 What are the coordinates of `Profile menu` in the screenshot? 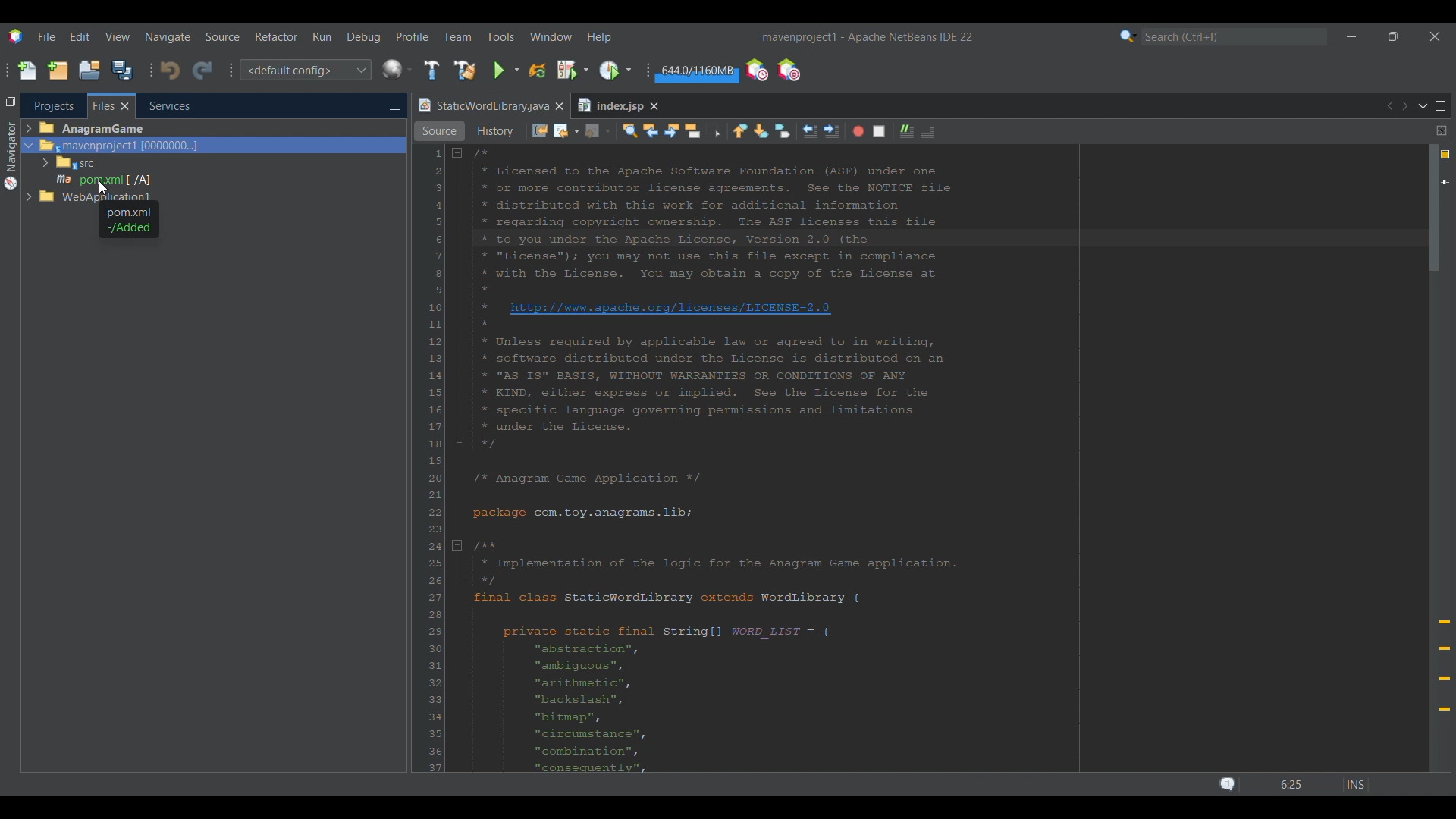 It's located at (413, 36).